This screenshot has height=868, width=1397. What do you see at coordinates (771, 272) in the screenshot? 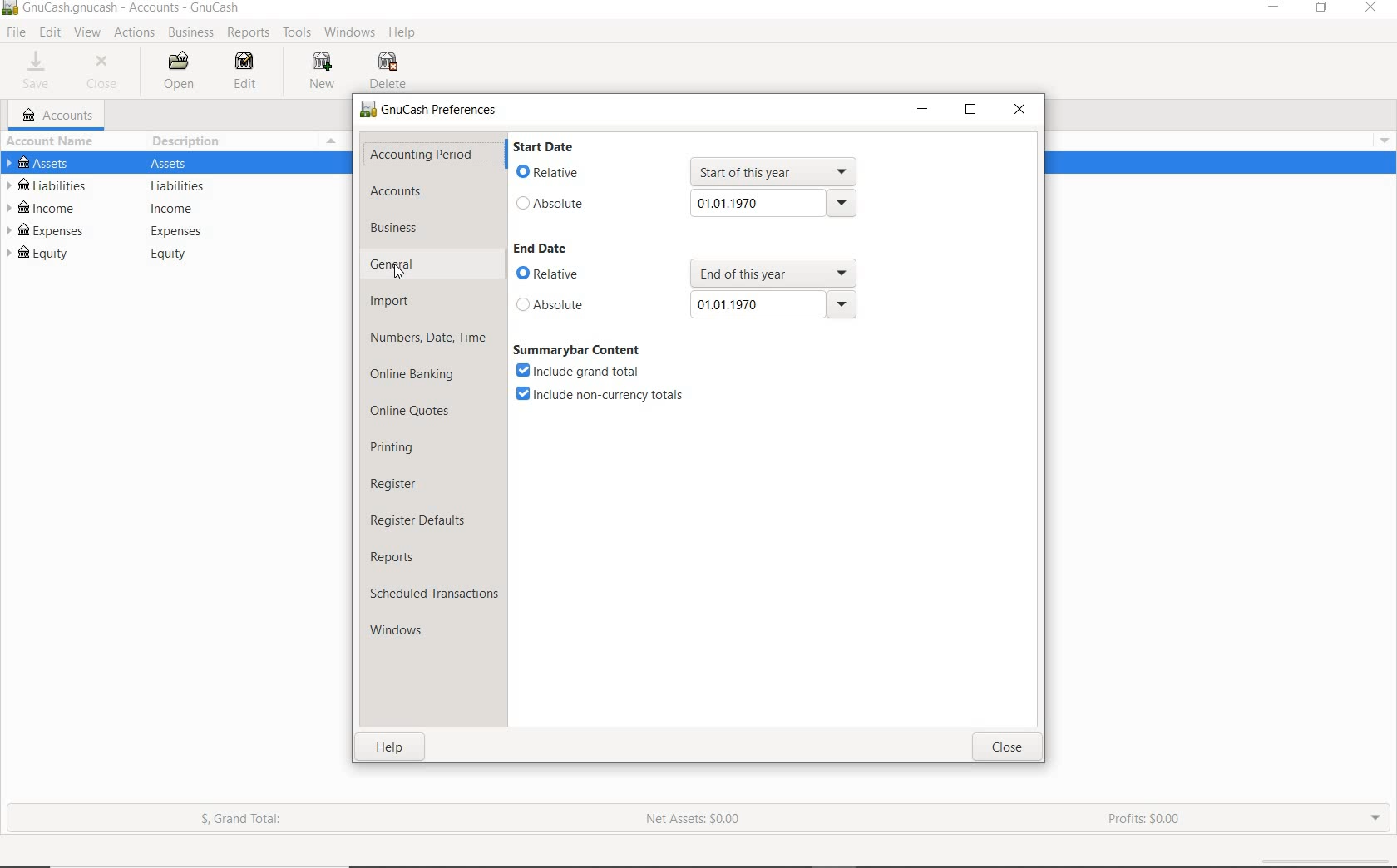
I see `End of this year` at bounding box center [771, 272].